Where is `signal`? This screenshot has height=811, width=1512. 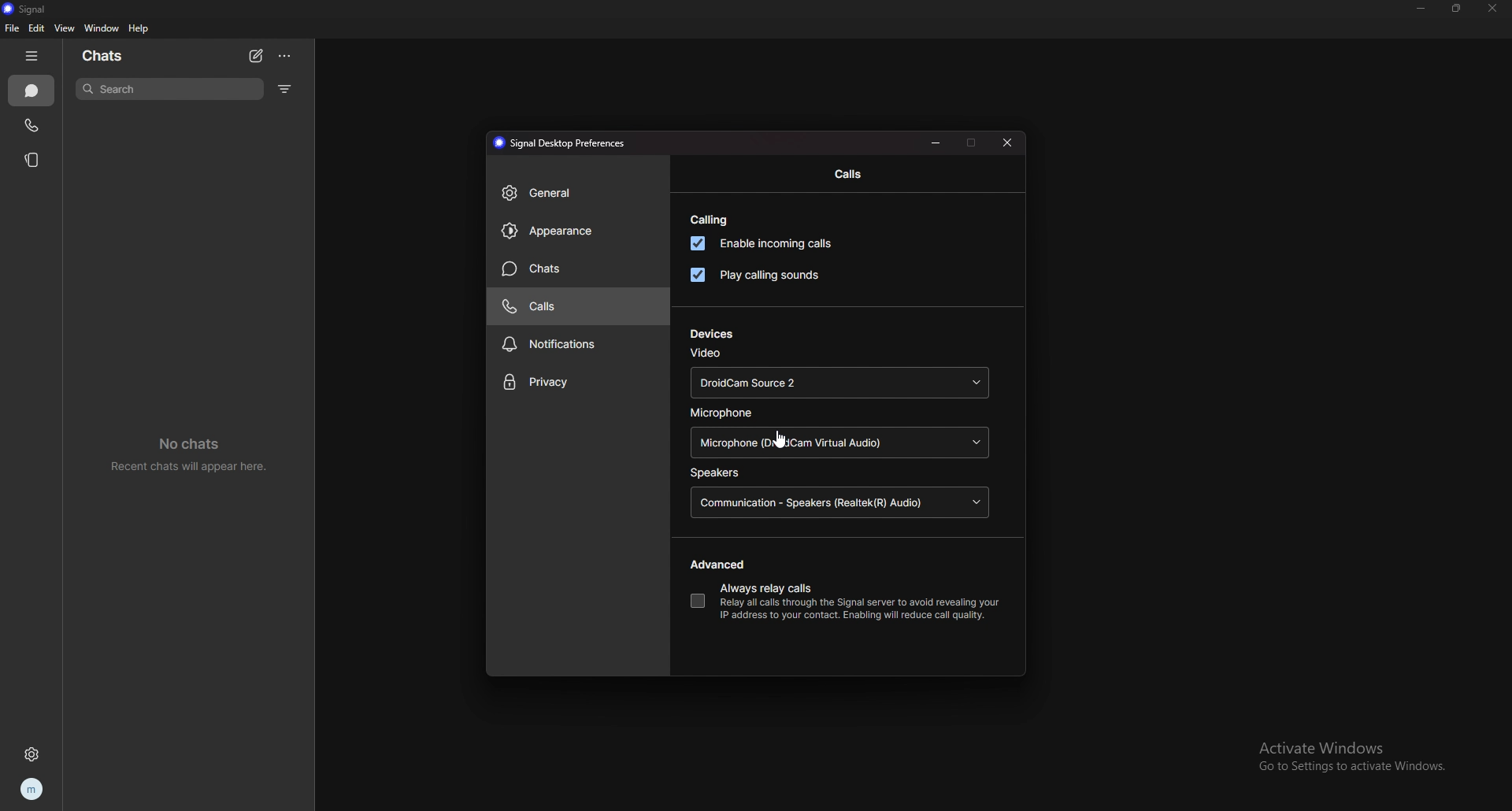 signal is located at coordinates (32, 9).